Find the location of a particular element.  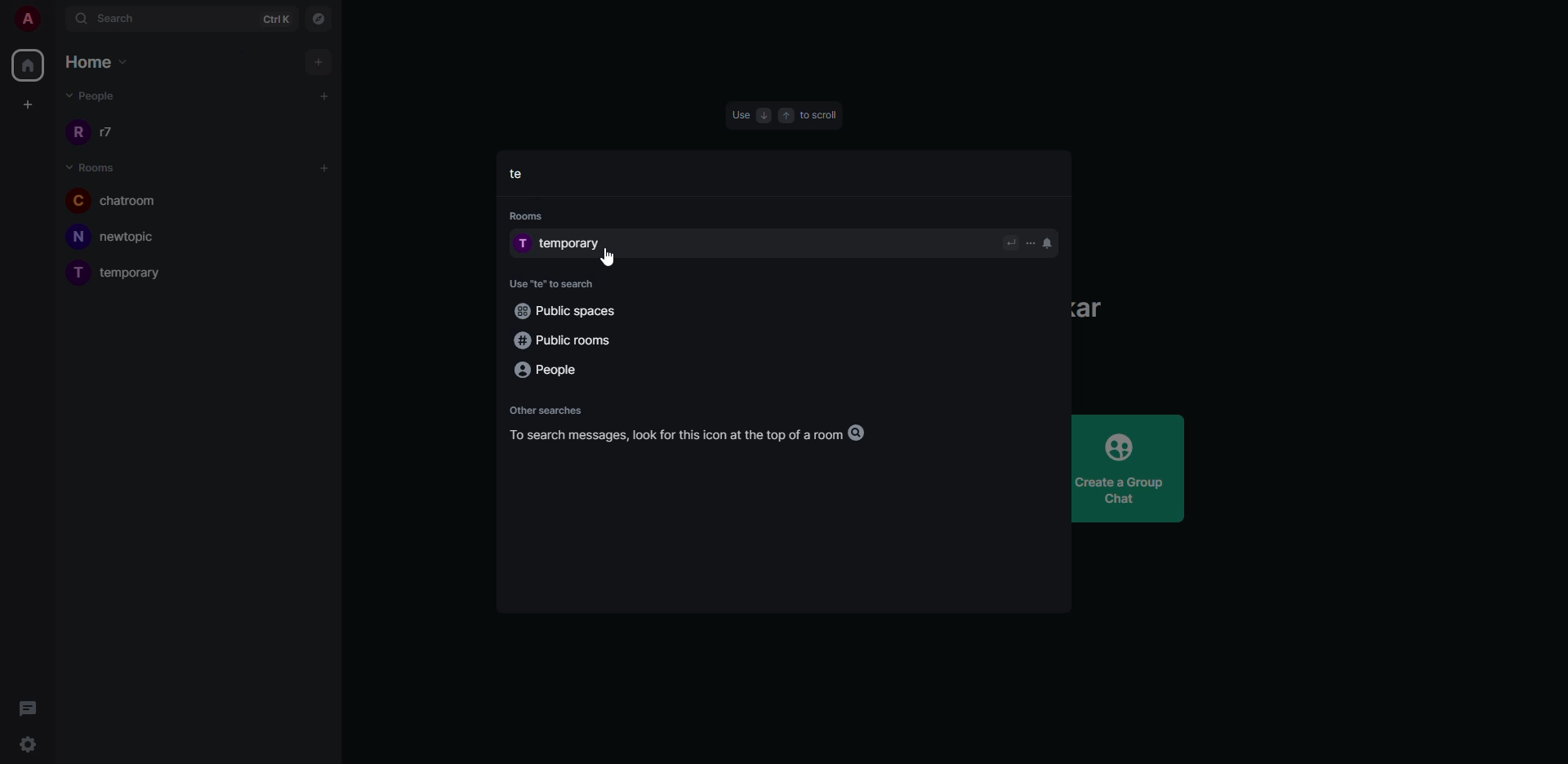

Public spaces is located at coordinates (566, 310).